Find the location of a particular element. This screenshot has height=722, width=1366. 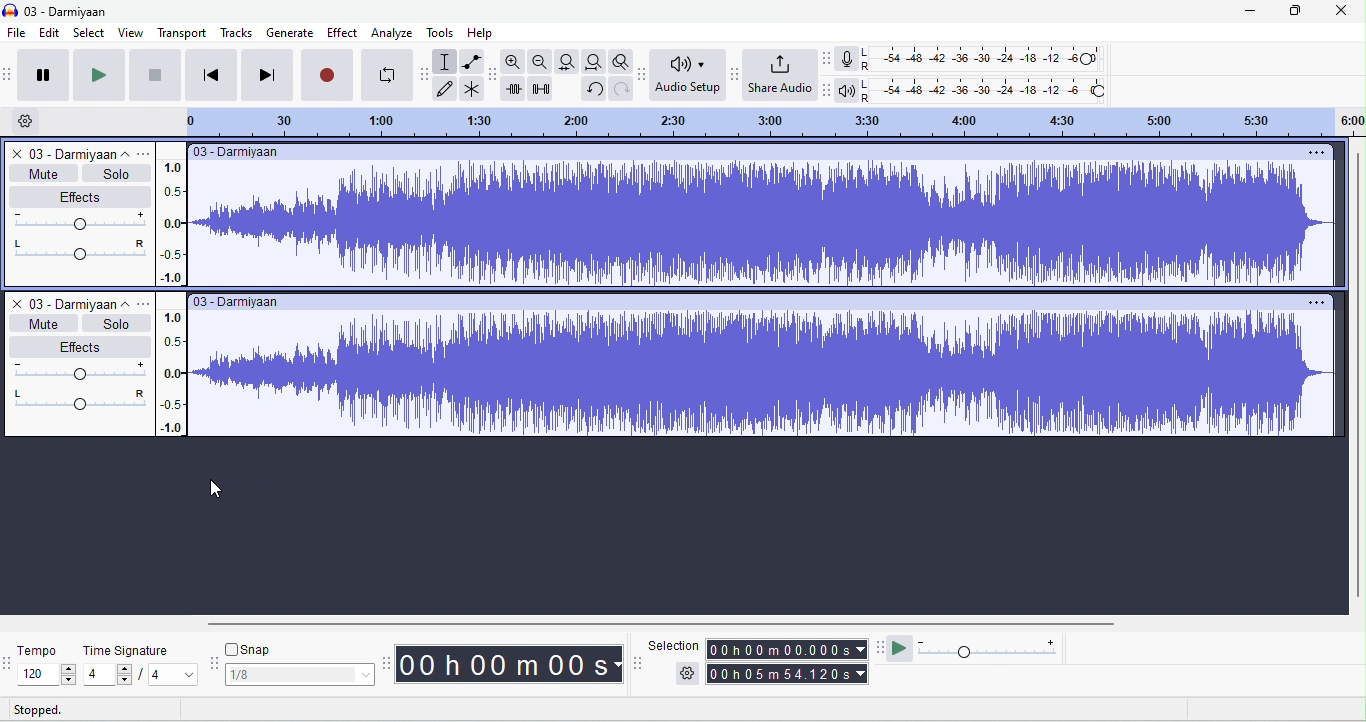

silence selection is located at coordinates (541, 88).